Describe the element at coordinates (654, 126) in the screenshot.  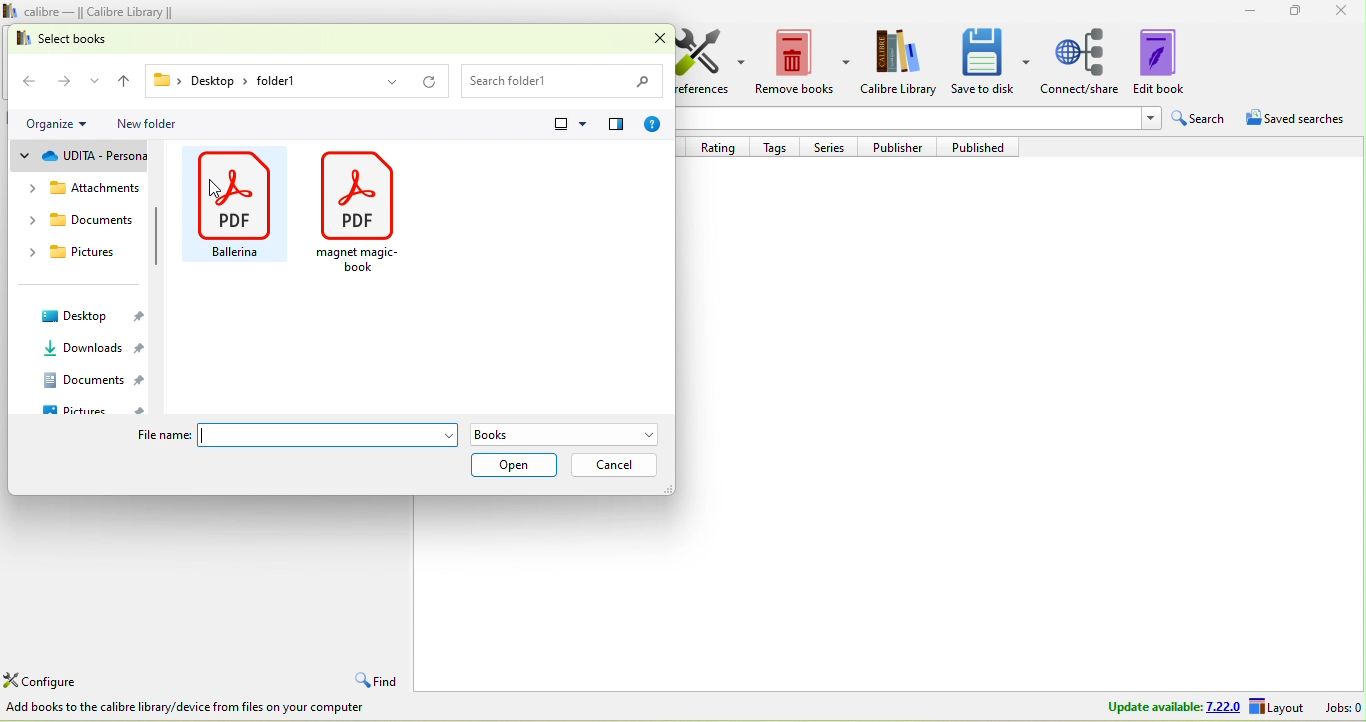
I see `?` at that location.